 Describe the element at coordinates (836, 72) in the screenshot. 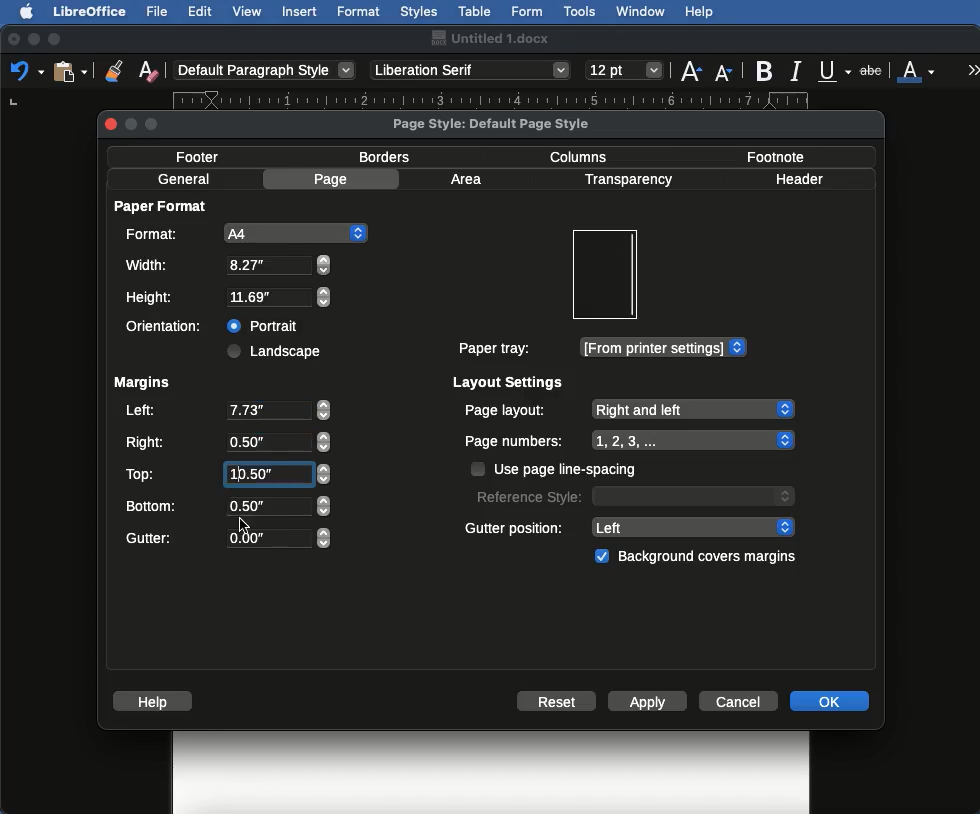

I see `Underline` at that location.